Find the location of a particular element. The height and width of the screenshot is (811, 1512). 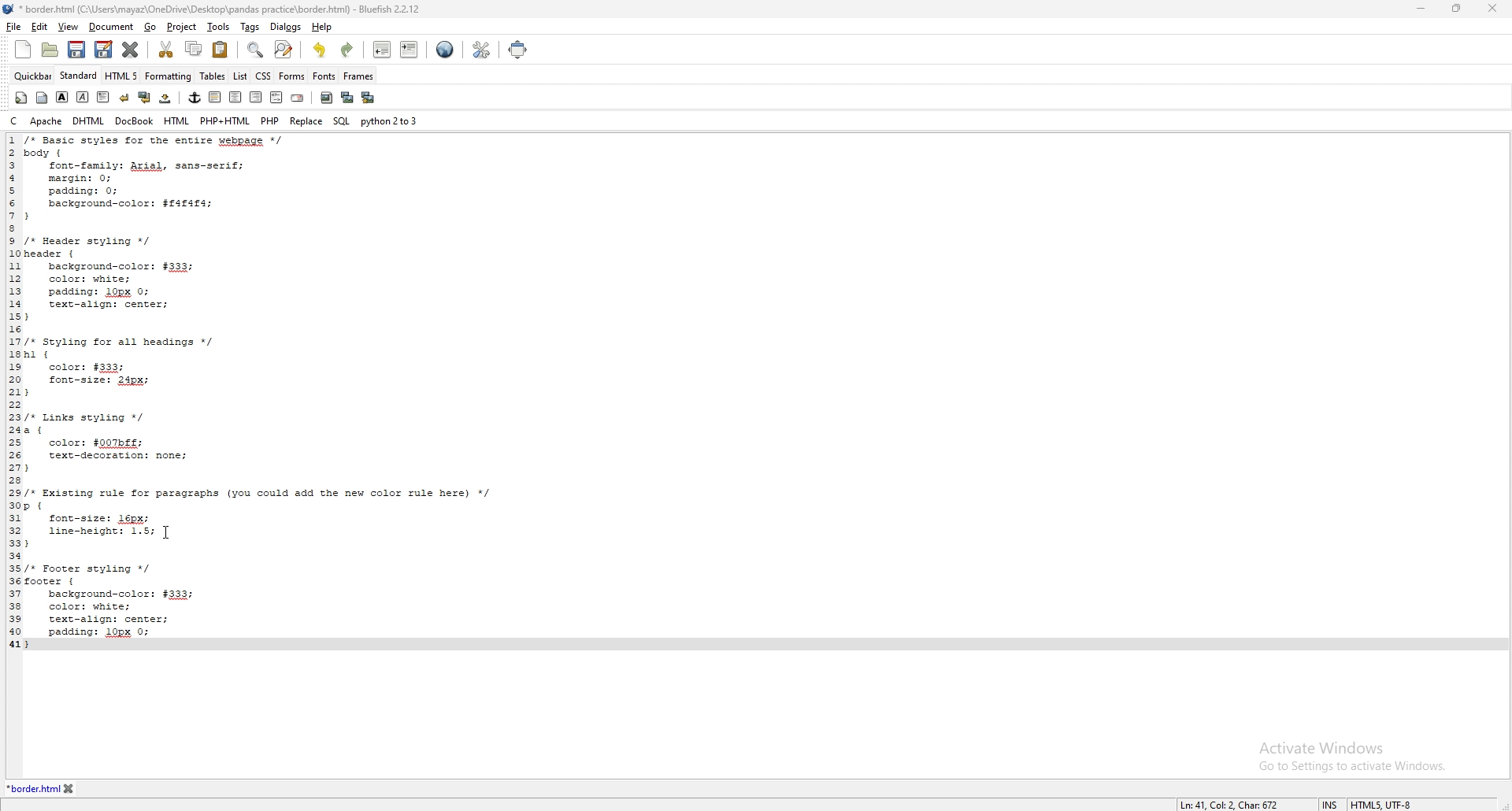

advanced find and replace is located at coordinates (283, 49).